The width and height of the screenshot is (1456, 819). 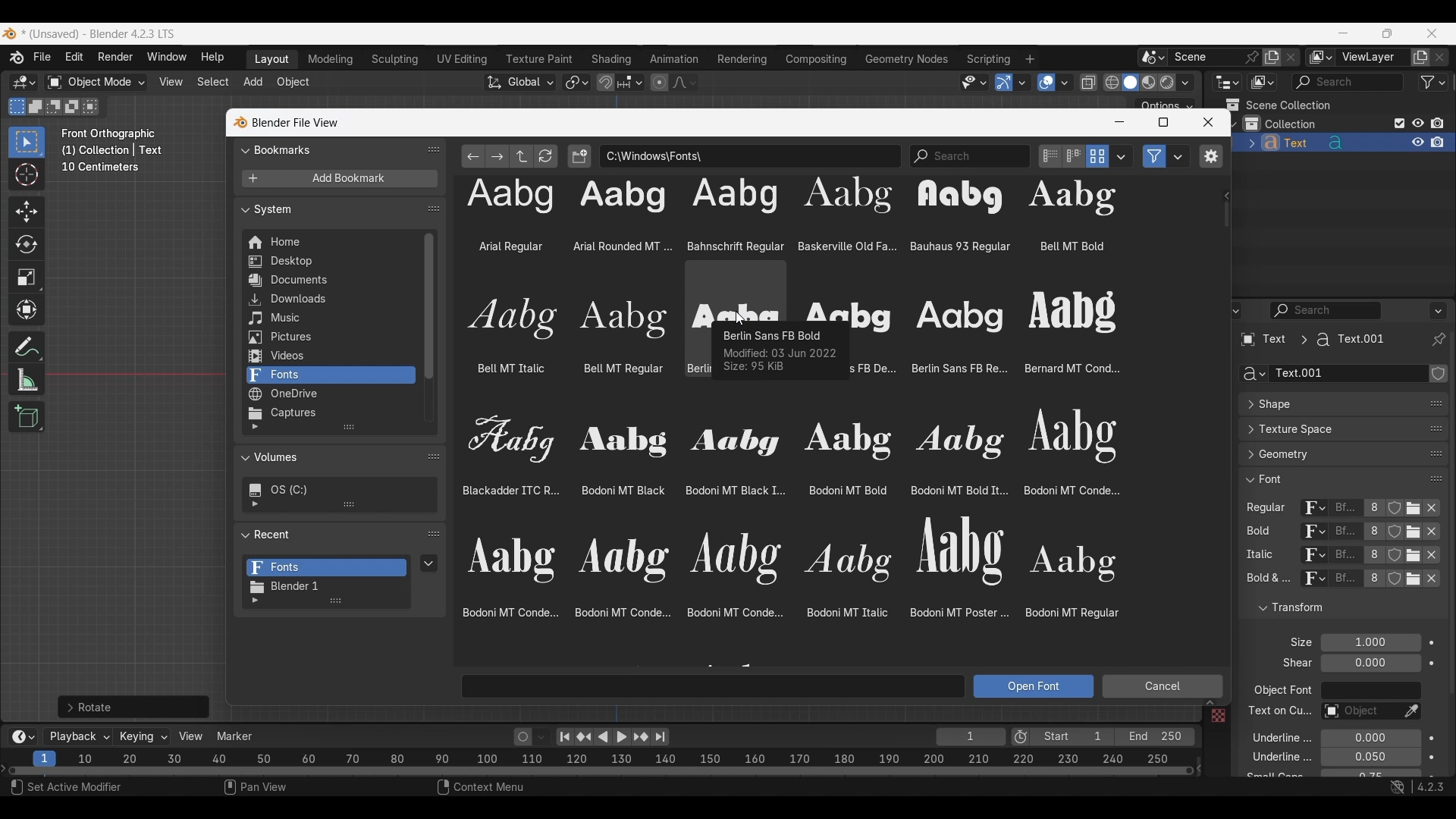 What do you see at coordinates (1278, 105) in the screenshot?
I see `Scene collection` at bounding box center [1278, 105].